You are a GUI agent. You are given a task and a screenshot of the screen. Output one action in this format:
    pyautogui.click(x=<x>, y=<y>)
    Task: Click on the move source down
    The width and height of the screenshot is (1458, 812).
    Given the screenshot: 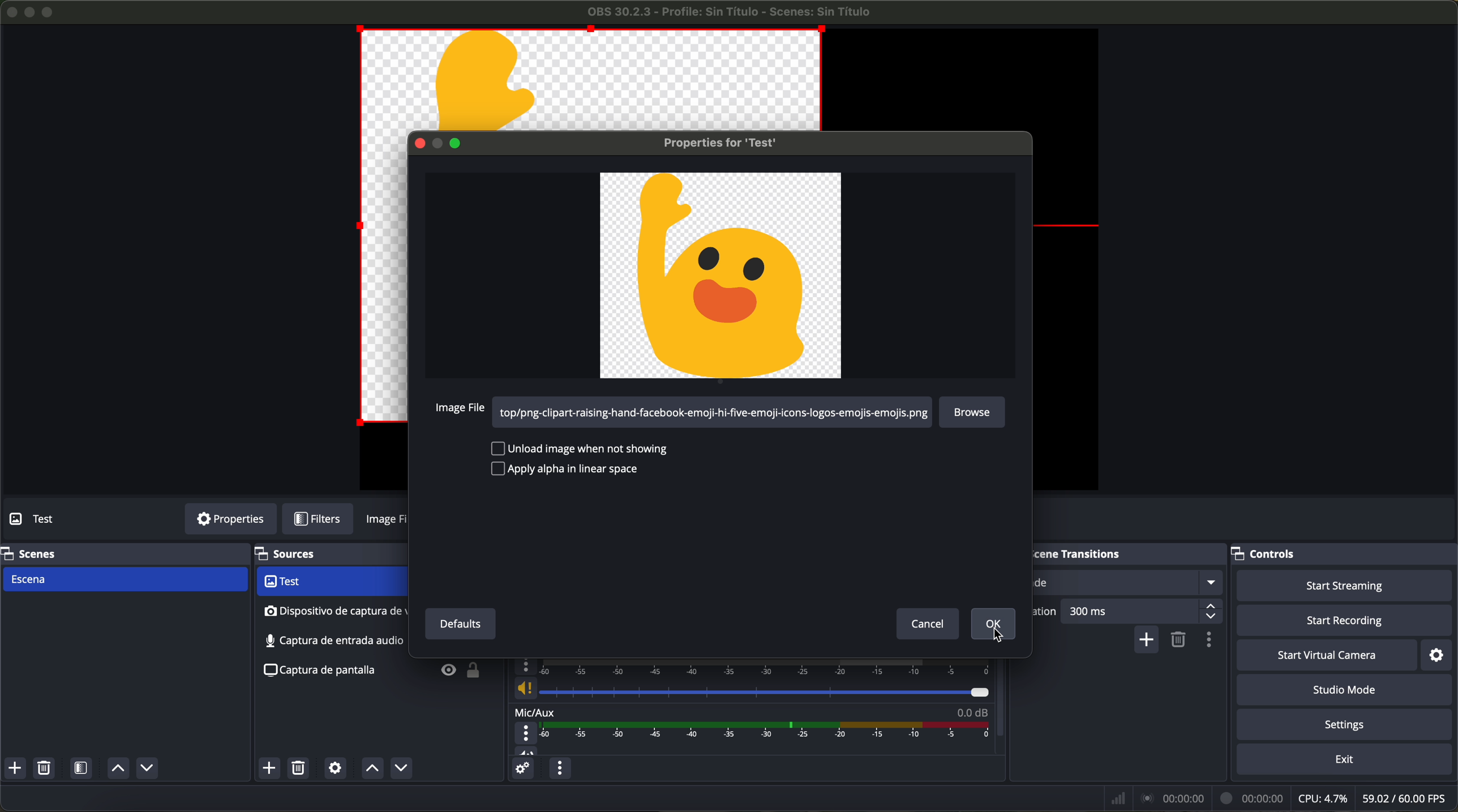 What is the action you would take?
    pyautogui.click(x=398, y=769)
    